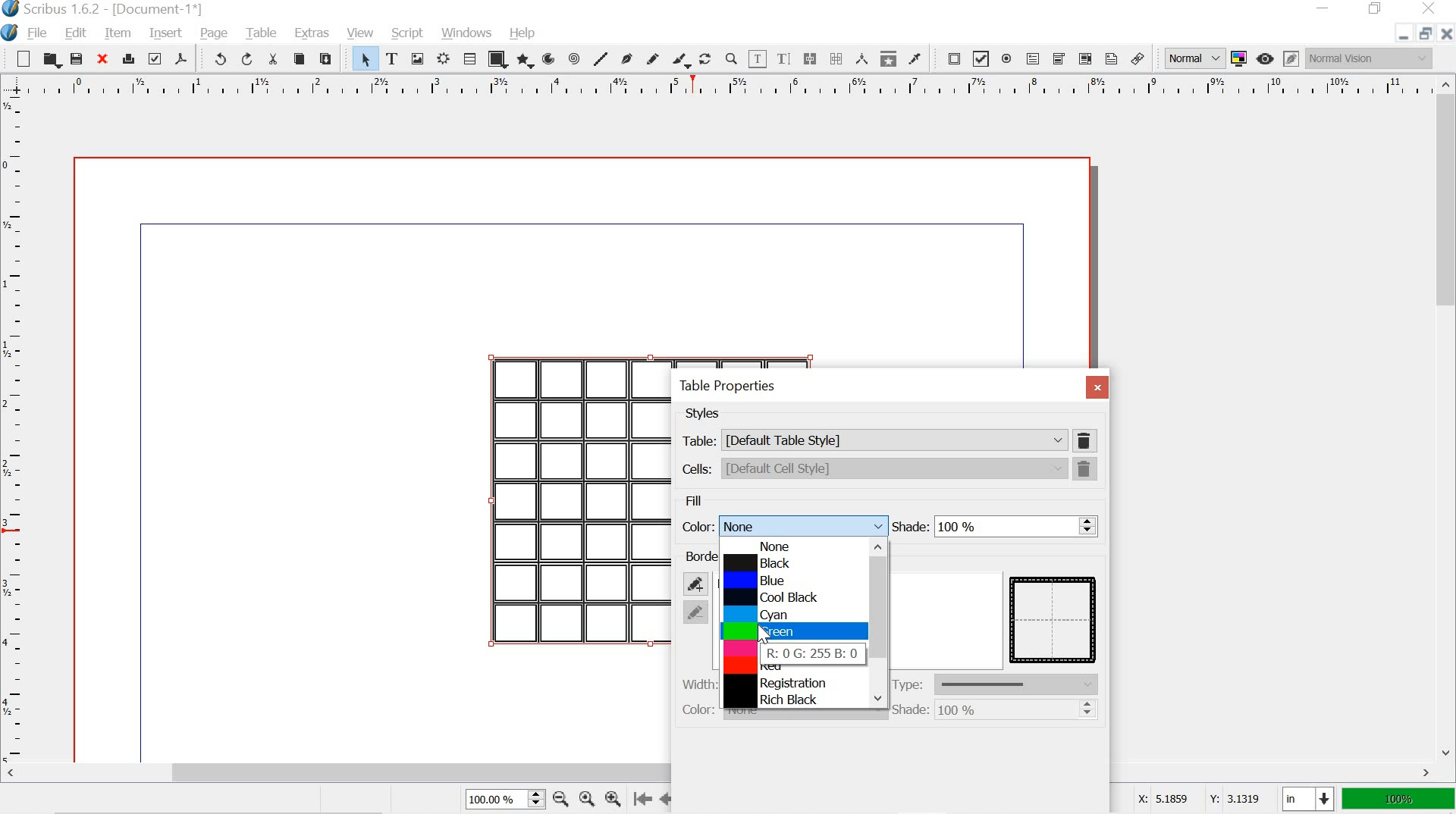  Describe the element at coordinates (1432, 9) in the screenshot. I see `close` at that location.